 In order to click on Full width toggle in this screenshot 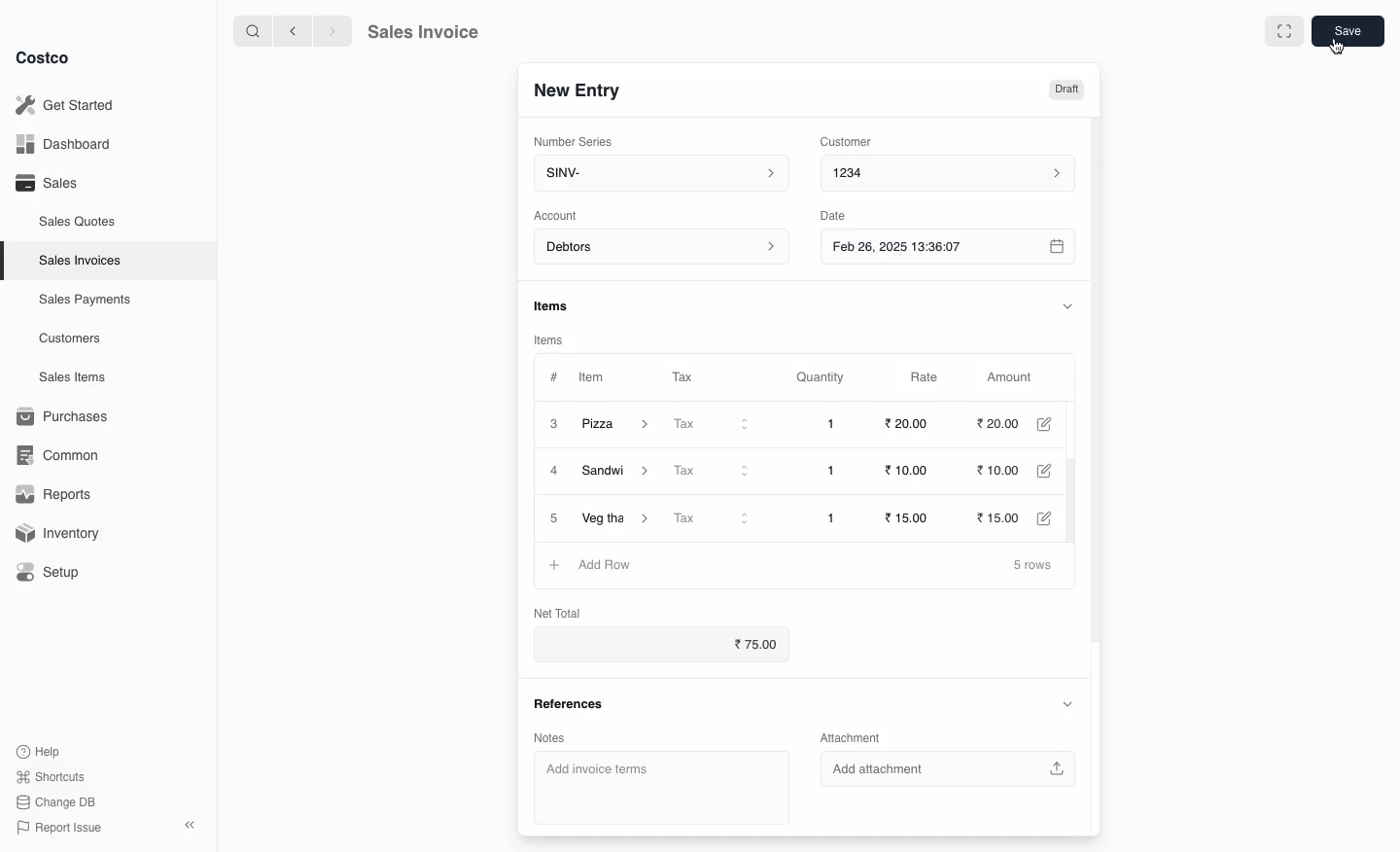, I will do `click(1282, 32)`.